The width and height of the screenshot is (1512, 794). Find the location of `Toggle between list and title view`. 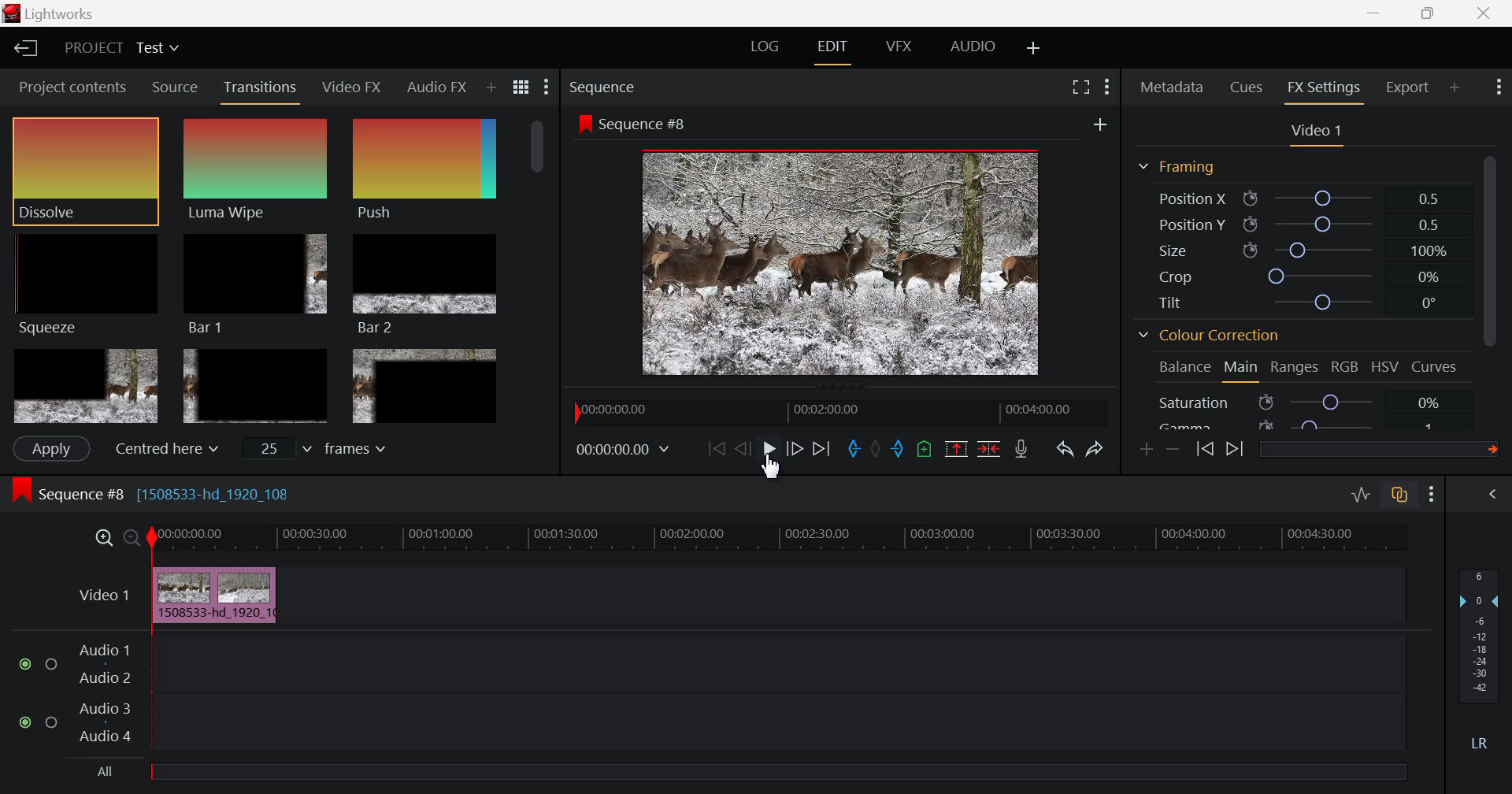

Toggle between list and title view is located at coordinates (523, 87).